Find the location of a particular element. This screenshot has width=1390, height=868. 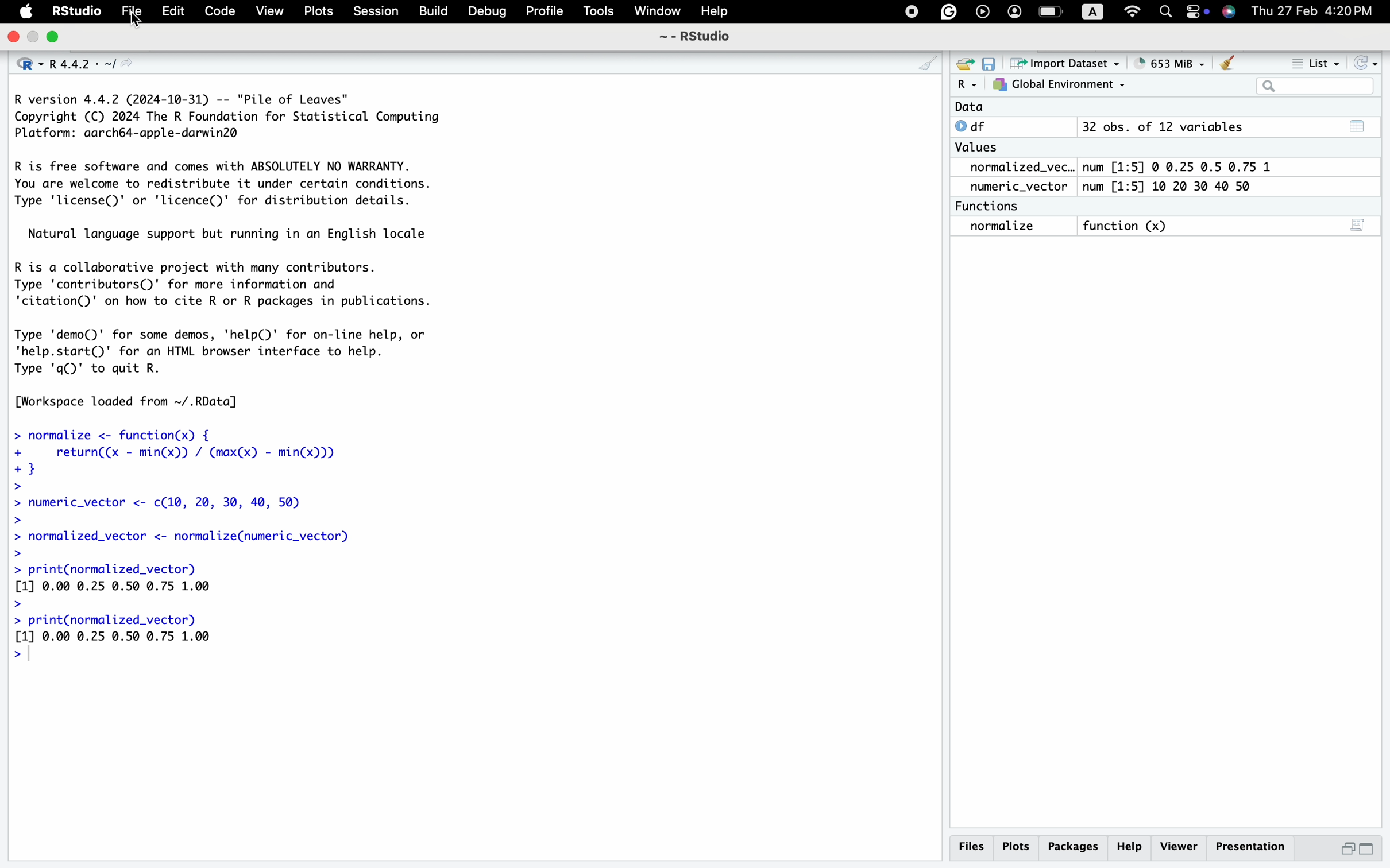

Global Environment is located at coordinates (1060, 85).